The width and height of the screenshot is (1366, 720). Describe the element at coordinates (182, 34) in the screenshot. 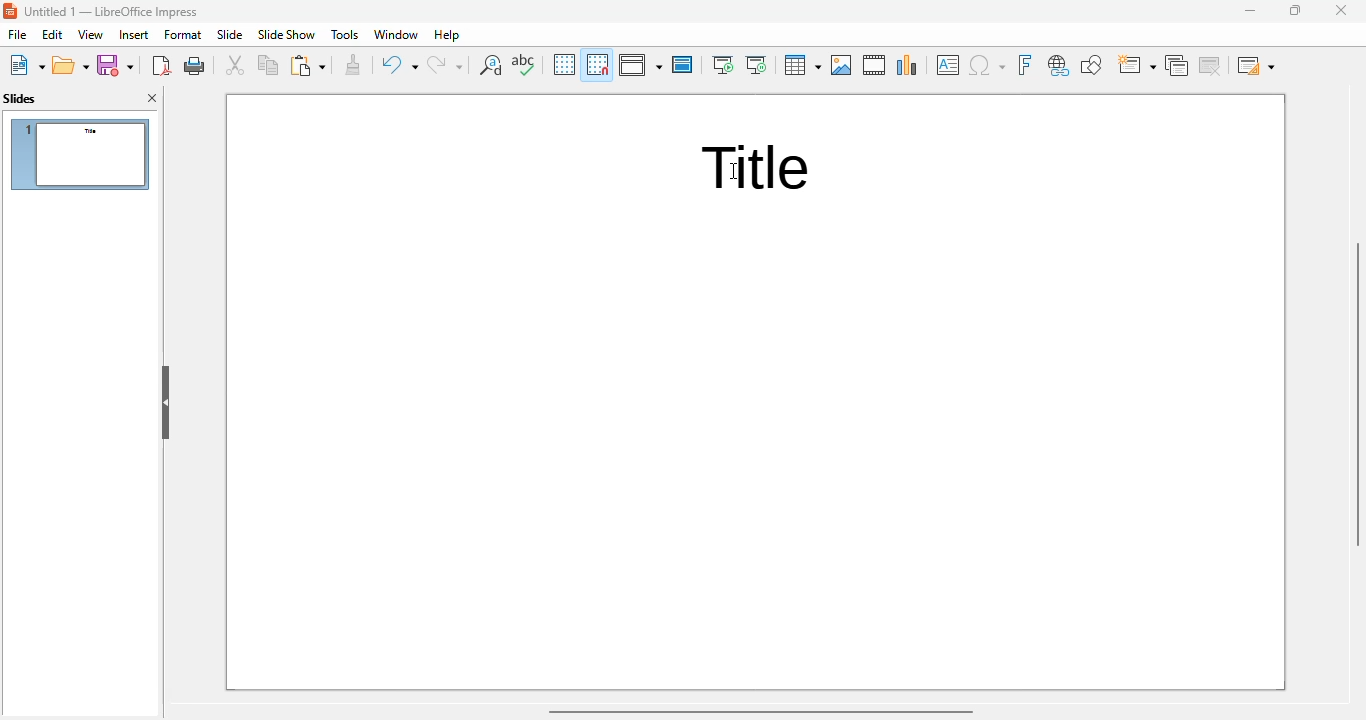

I see `format` at that location.